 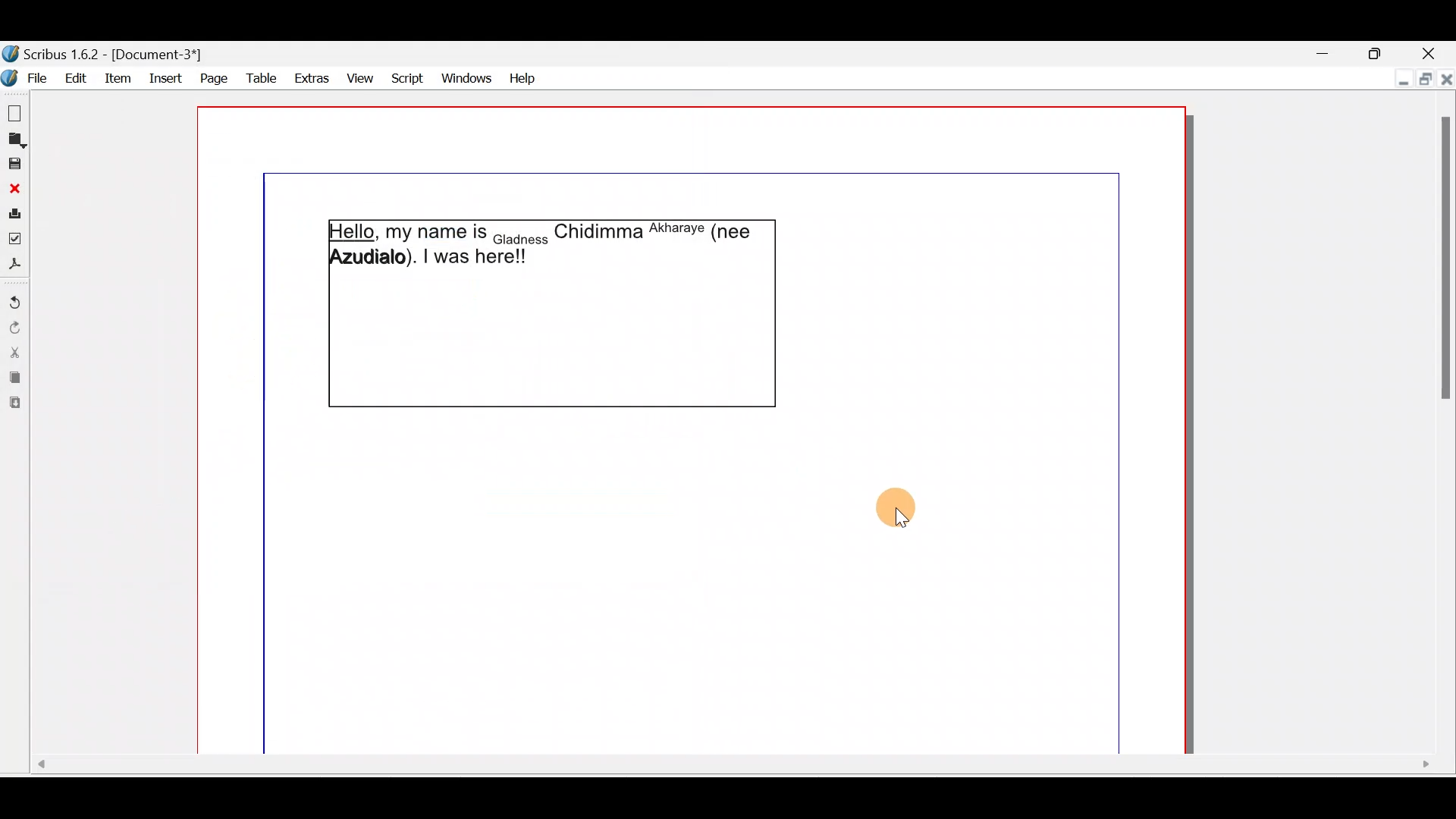 I want to click on my name is, so click(x=434, y=232).